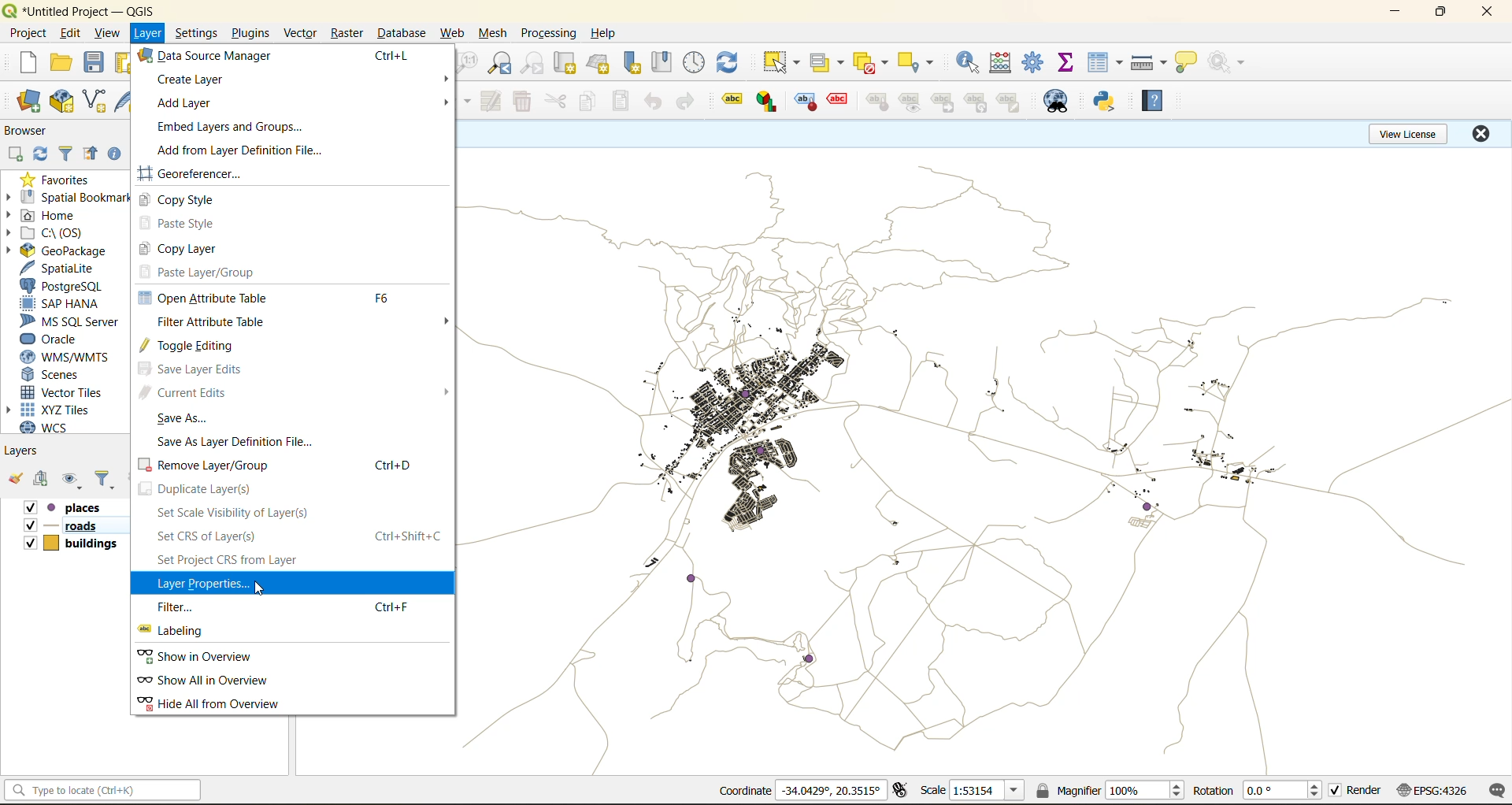 The width and height of the screenshot is (1512, 805). What do you see at coordinates (1148, 63) in the screenshot?
I see `measure line` at bounding box center [1148, 63].